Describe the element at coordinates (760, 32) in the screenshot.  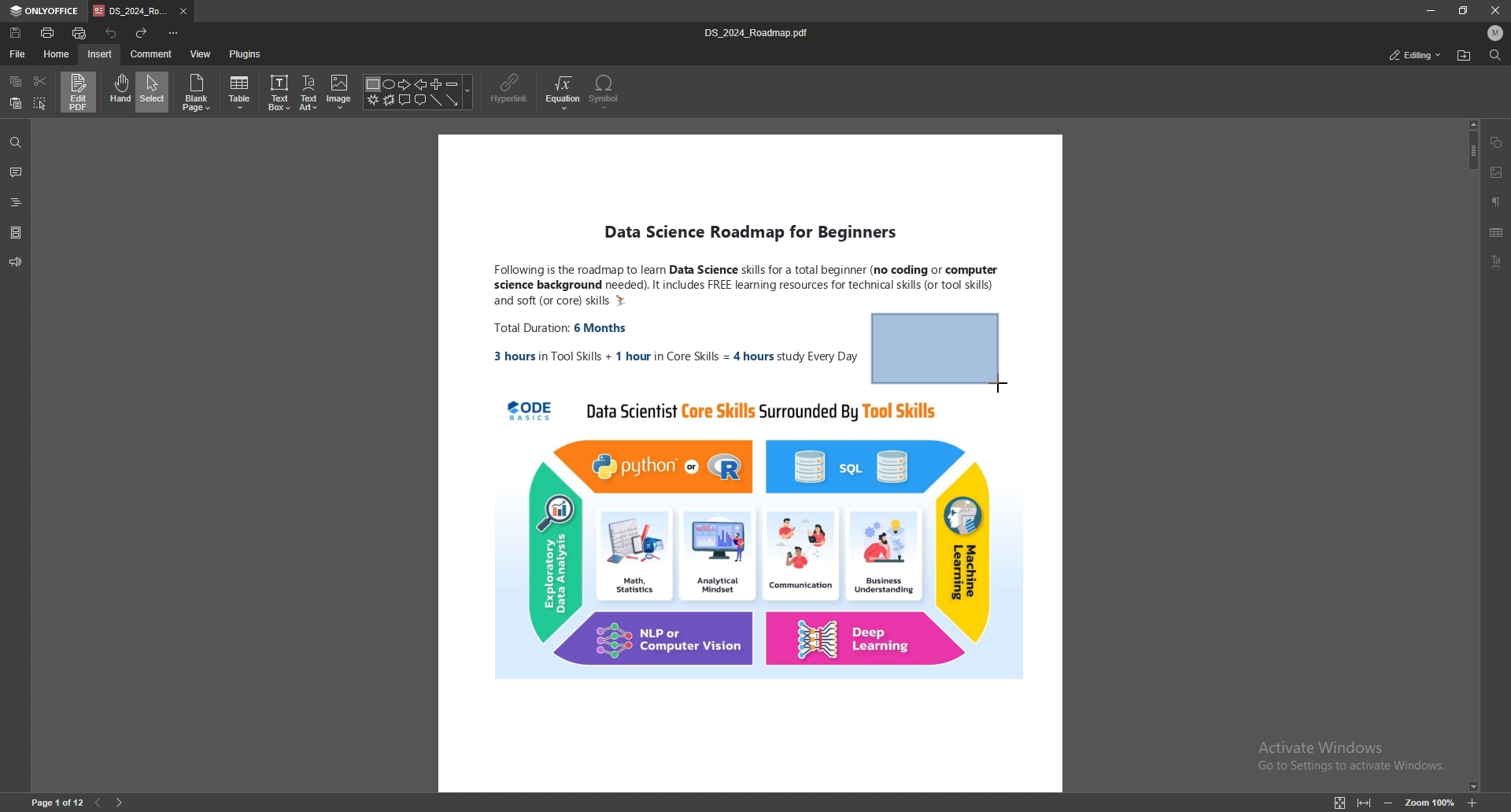
I see `file name` at that location.